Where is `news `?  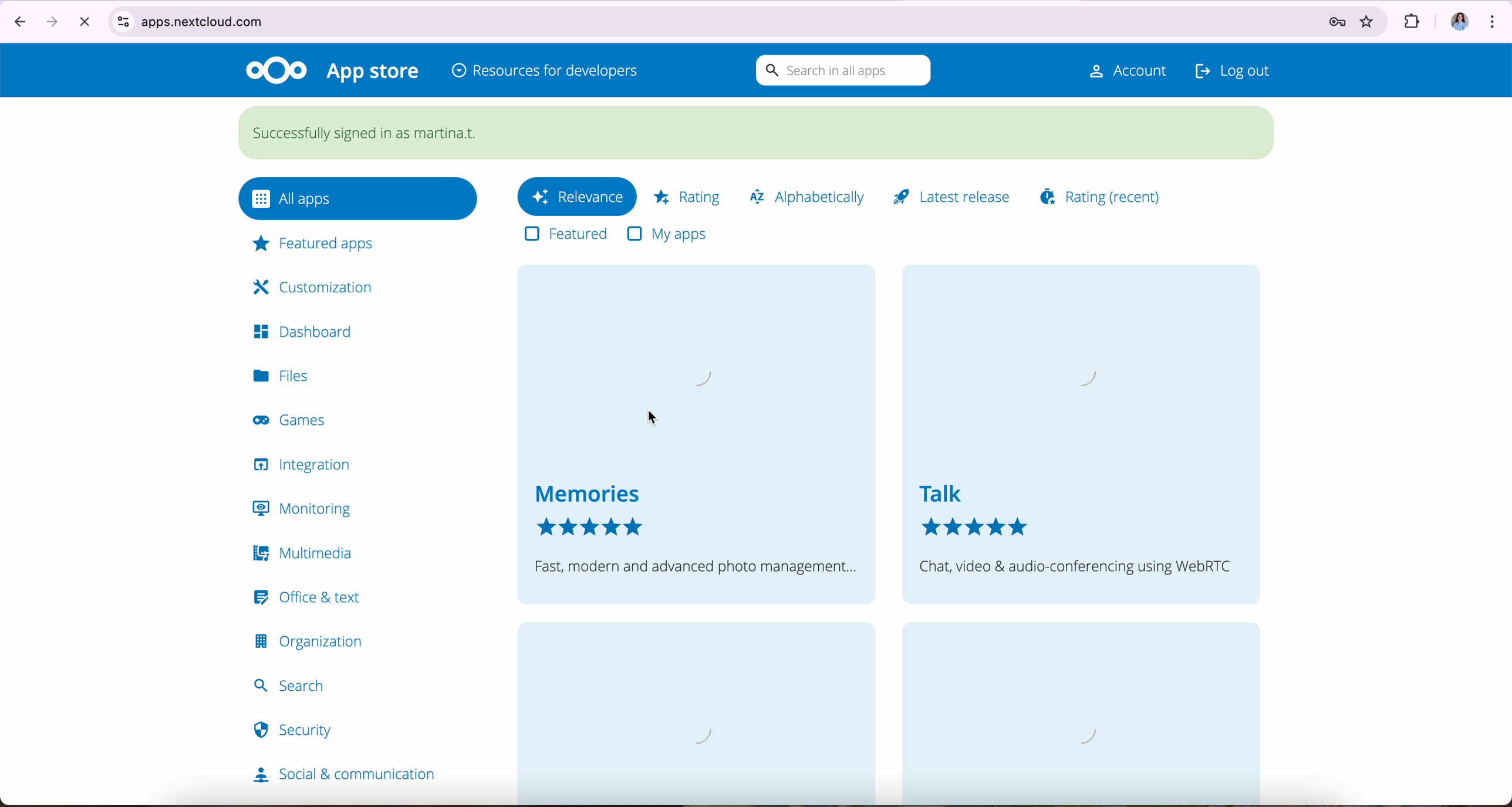
news  is located at coordinates (701, 713).